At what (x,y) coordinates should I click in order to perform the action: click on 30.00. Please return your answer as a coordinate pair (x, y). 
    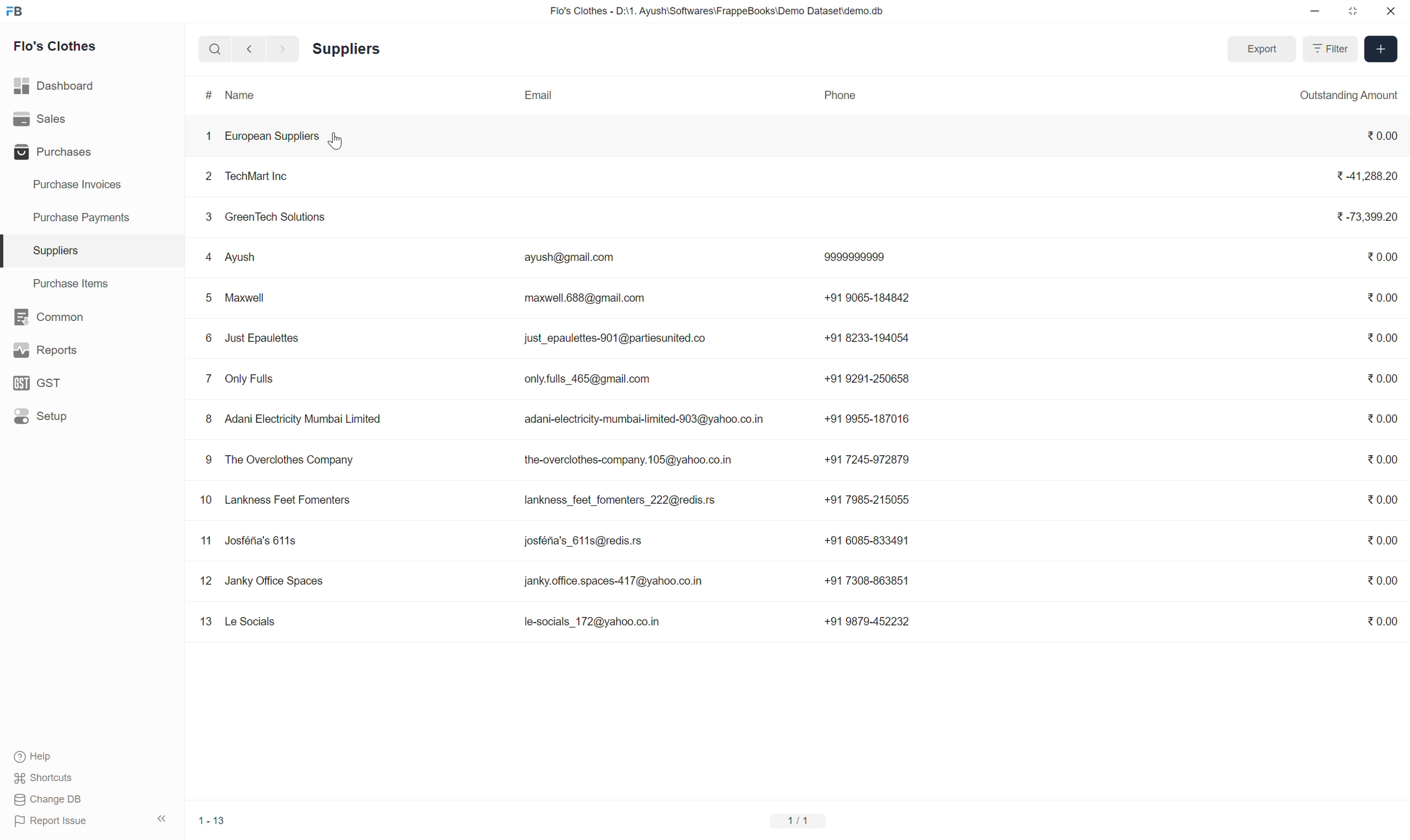
    Looking at the image, I should click on (1373, 540).